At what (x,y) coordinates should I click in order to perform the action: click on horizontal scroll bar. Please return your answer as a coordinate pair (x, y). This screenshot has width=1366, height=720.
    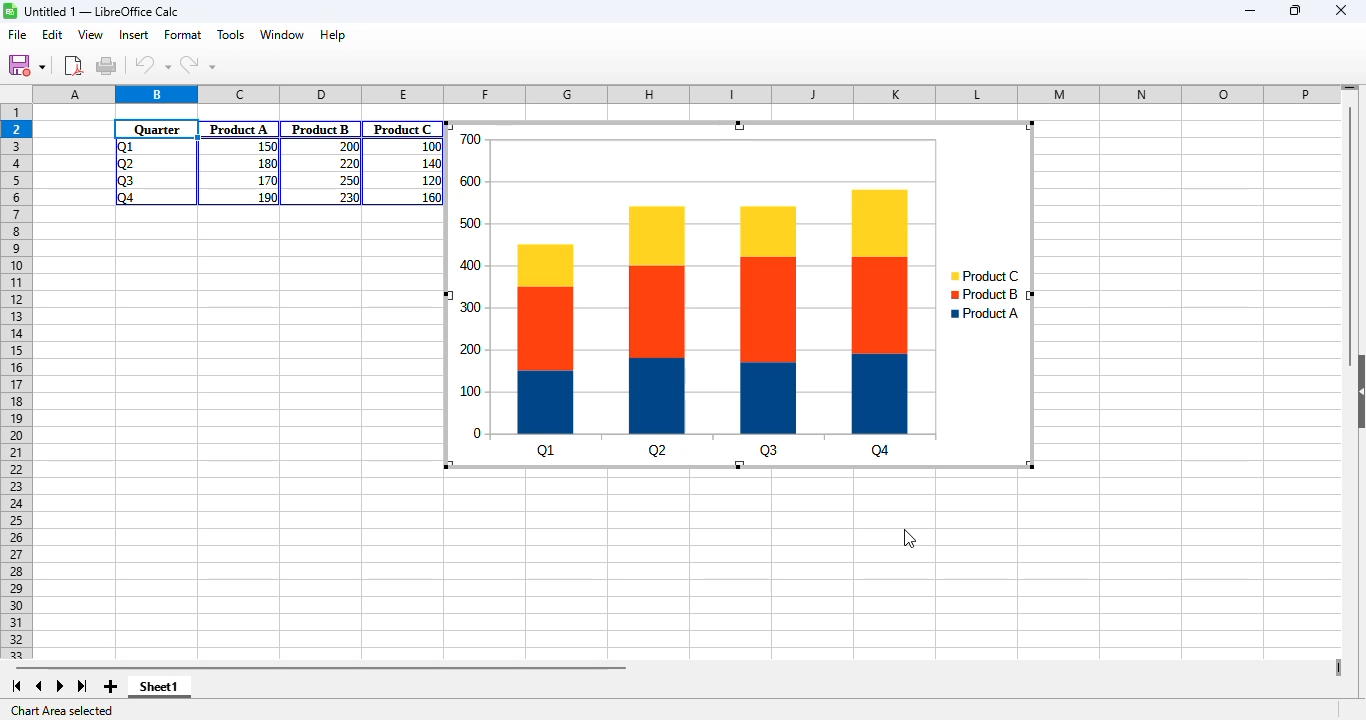
    Looking at the image, I should click on (320, 667).